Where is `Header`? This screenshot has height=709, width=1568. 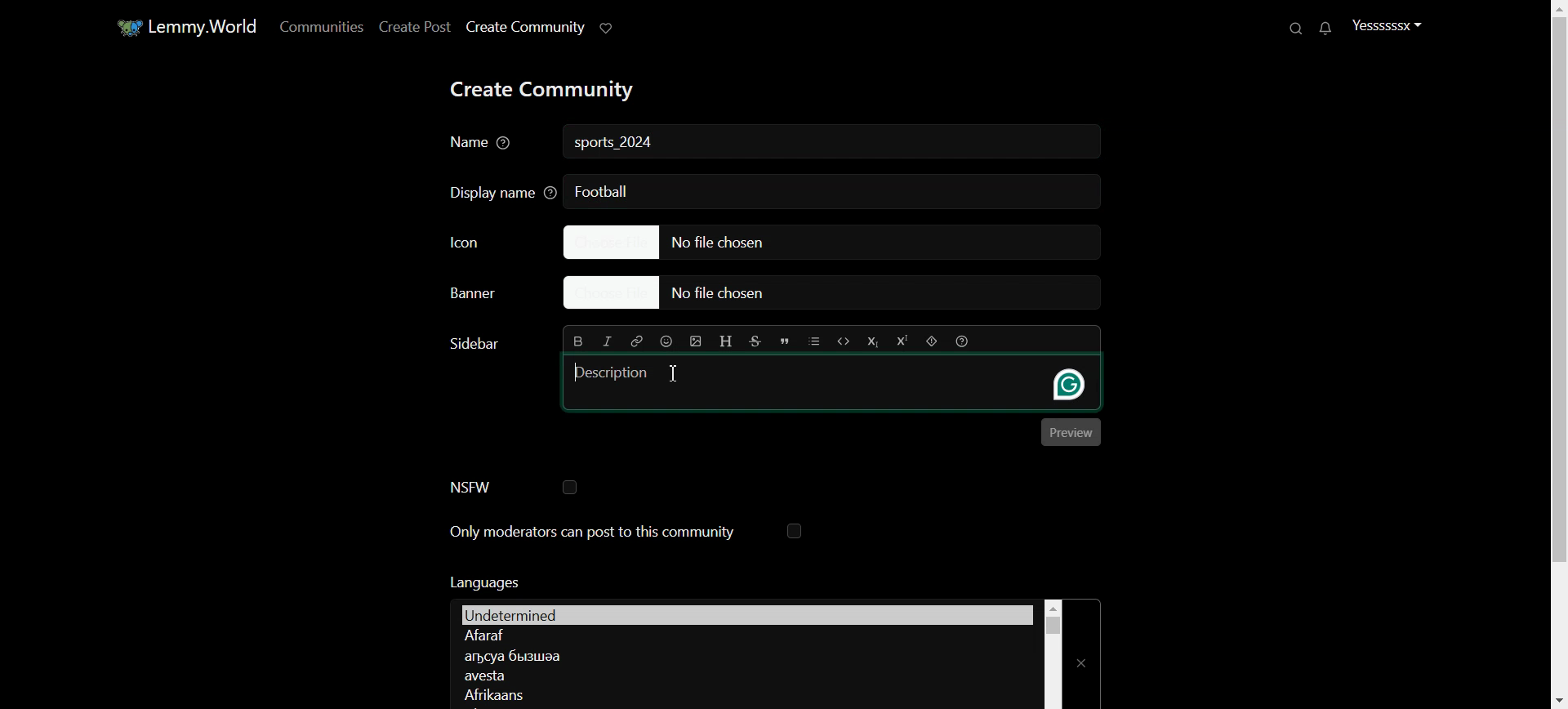
Header is located at coordinates (727, 342).